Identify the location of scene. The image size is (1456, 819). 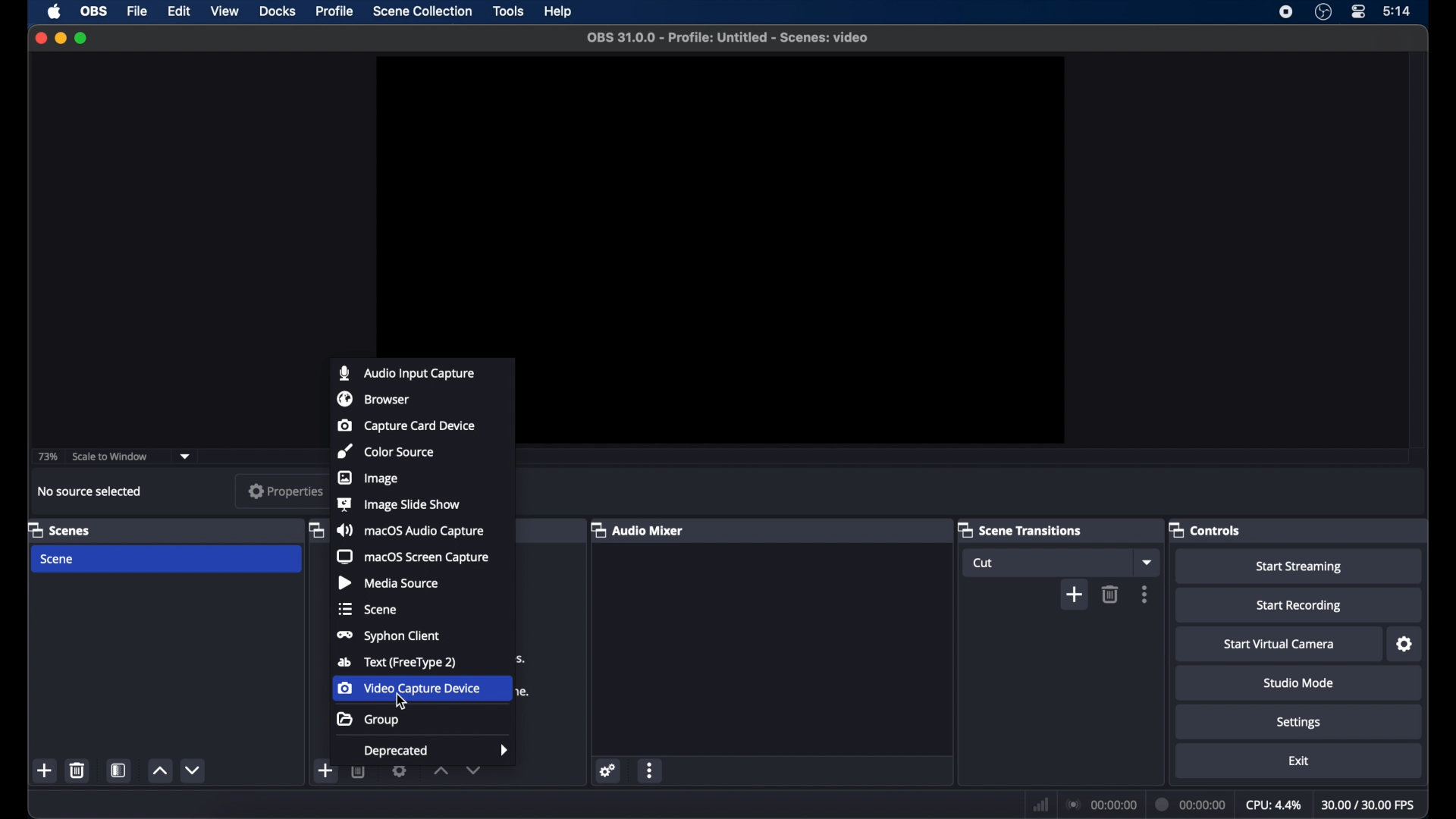
(58, 560).